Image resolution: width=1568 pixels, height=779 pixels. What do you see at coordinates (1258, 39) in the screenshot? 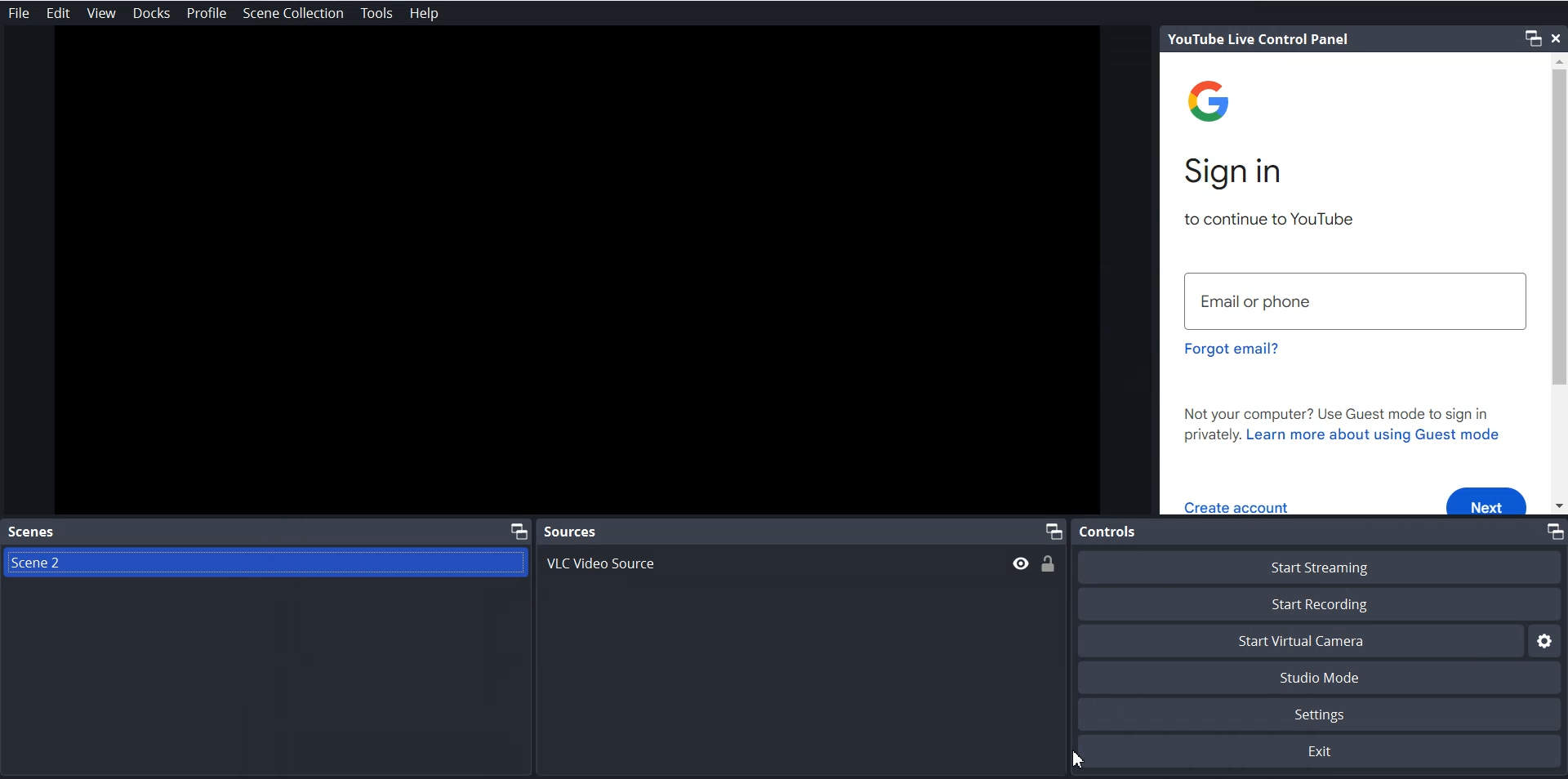
I see `Youtube live control panel` at bounding box center [1258, 39].